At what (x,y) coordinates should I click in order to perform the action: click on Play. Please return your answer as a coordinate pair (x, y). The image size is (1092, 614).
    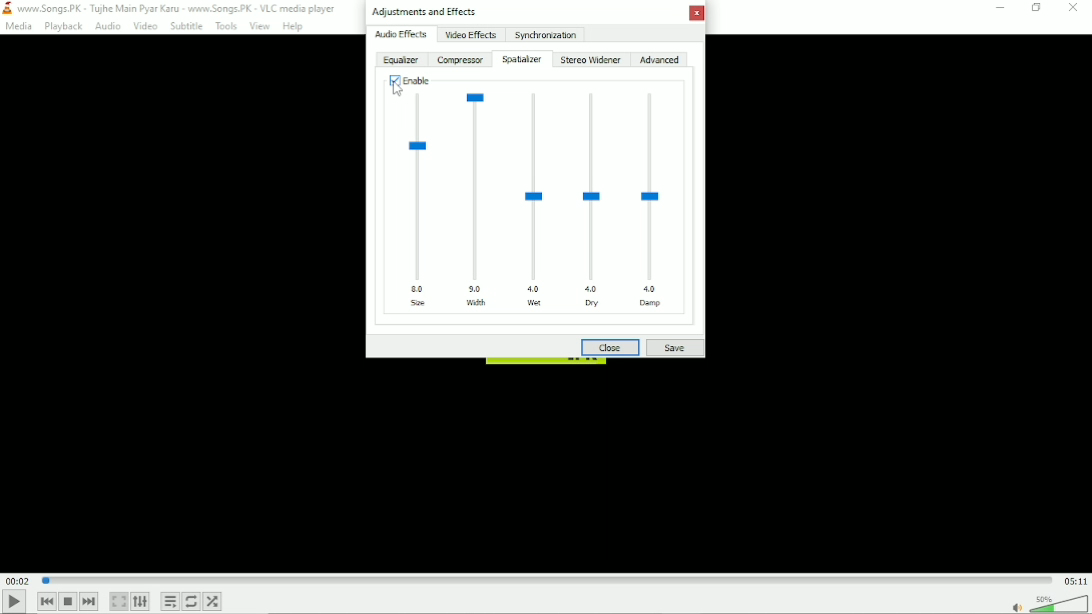
    Looking at the image, I should click on (14, 602).